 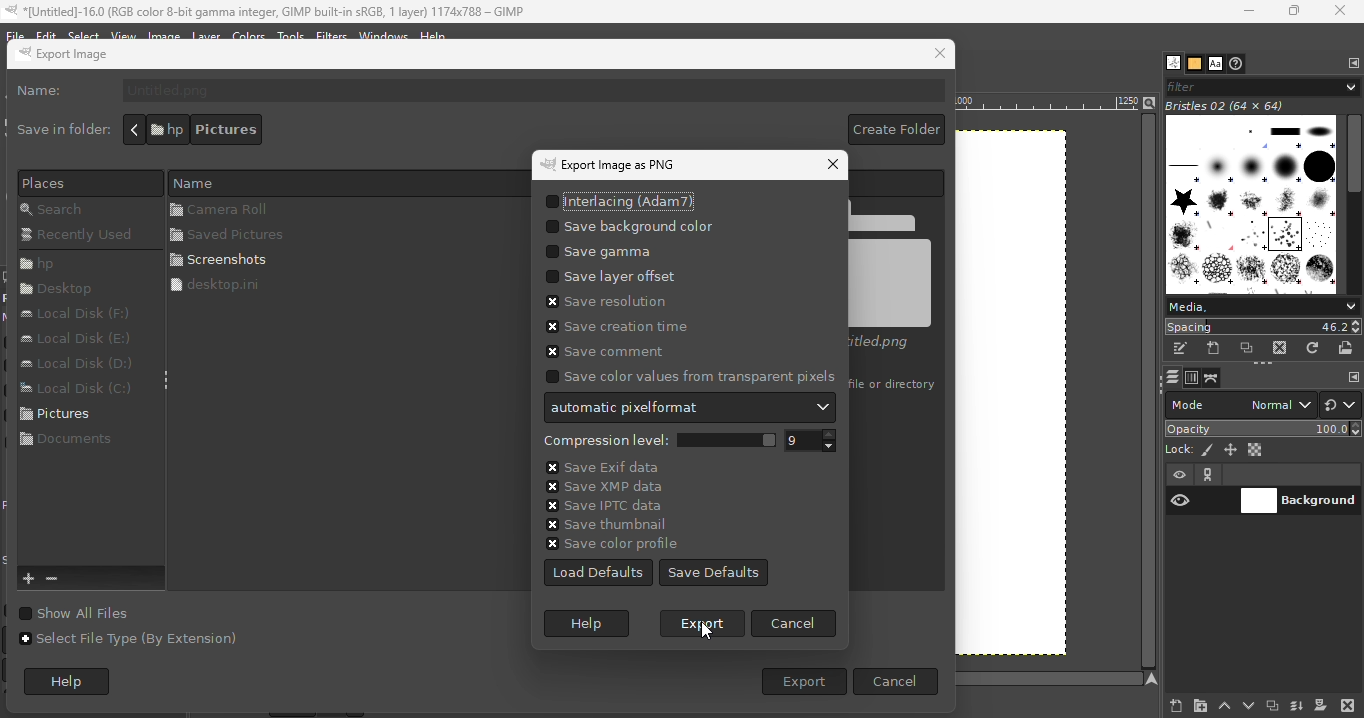 What do you see at coordinates (93, 612) in the screenshot?
I see `Show all files` at bounding box center [93, 612].